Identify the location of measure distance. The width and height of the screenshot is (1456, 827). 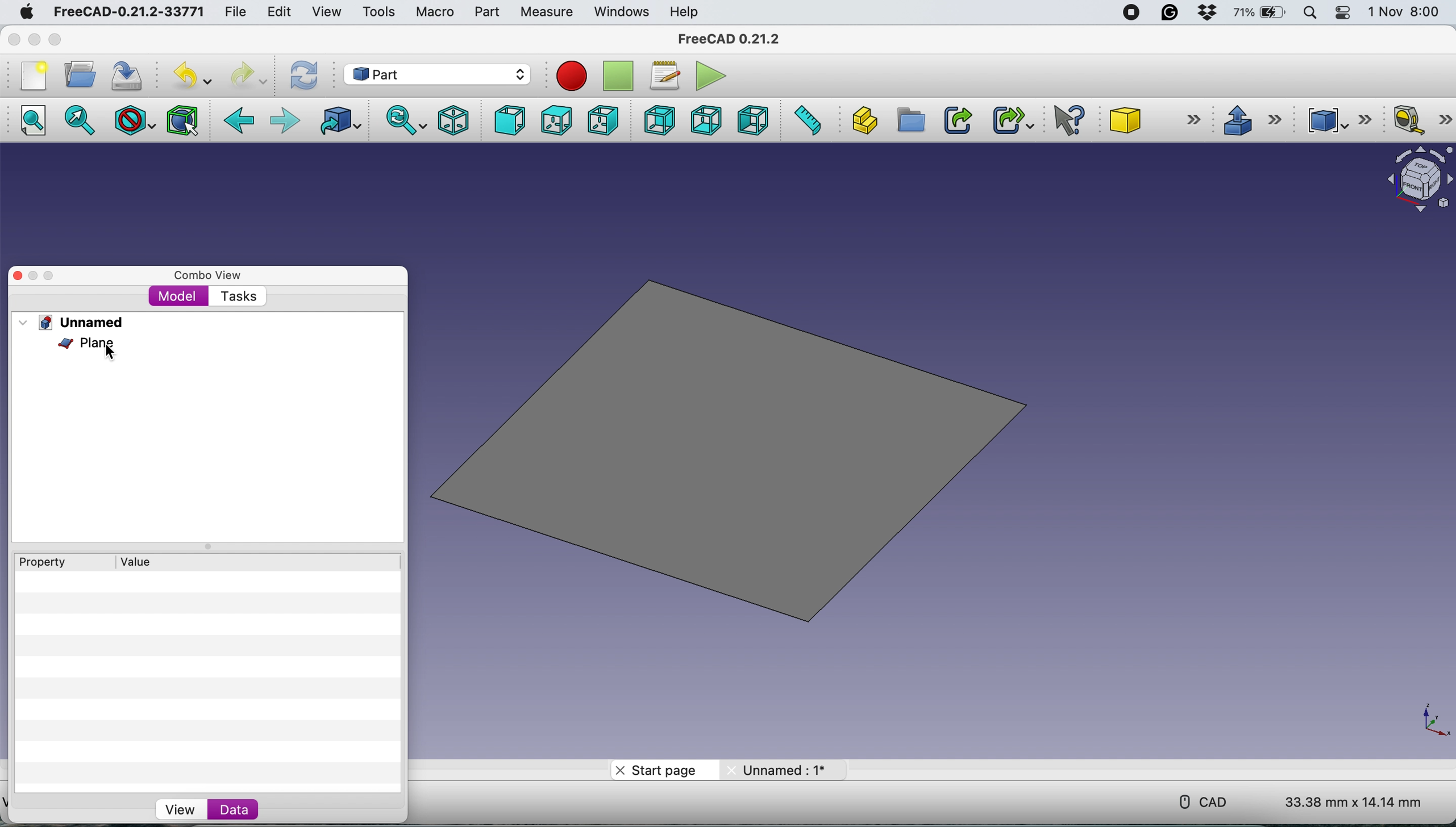
(806, 121).